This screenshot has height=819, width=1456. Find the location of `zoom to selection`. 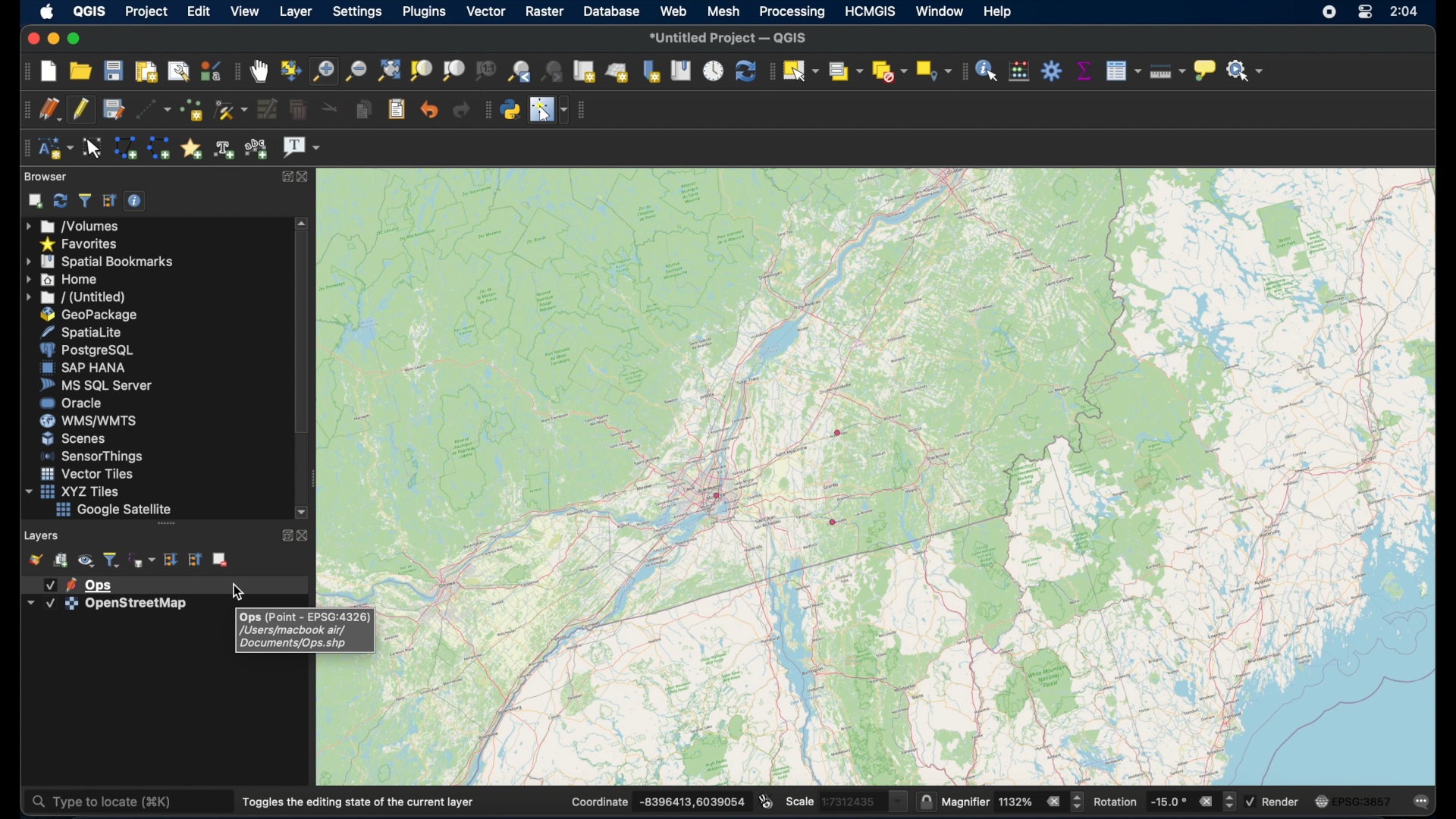

zoom to selection is located at coordinates (421, 71).